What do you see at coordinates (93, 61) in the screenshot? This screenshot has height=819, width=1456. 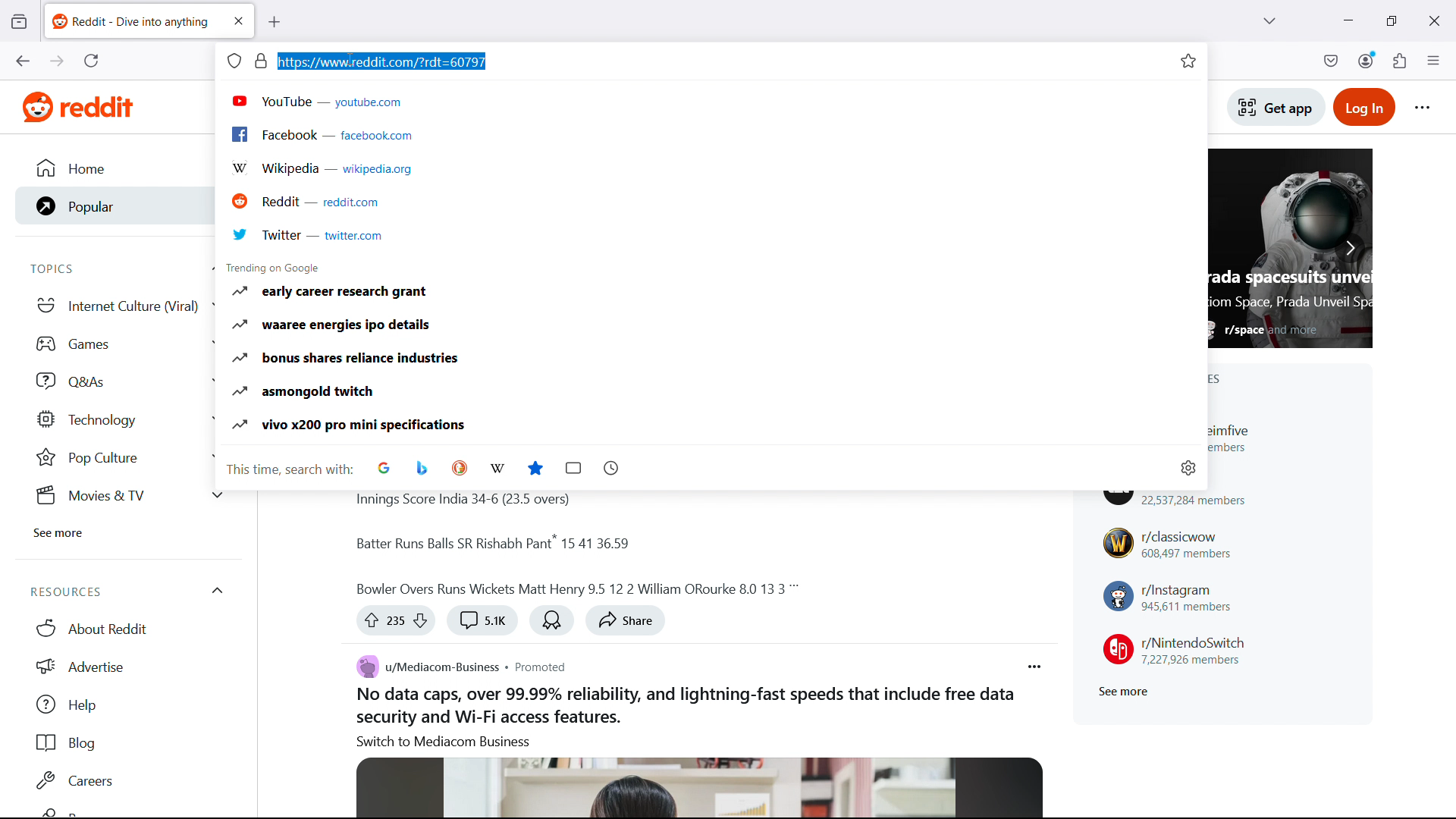 I see `reload the current page` at bounding box center [93, 61].